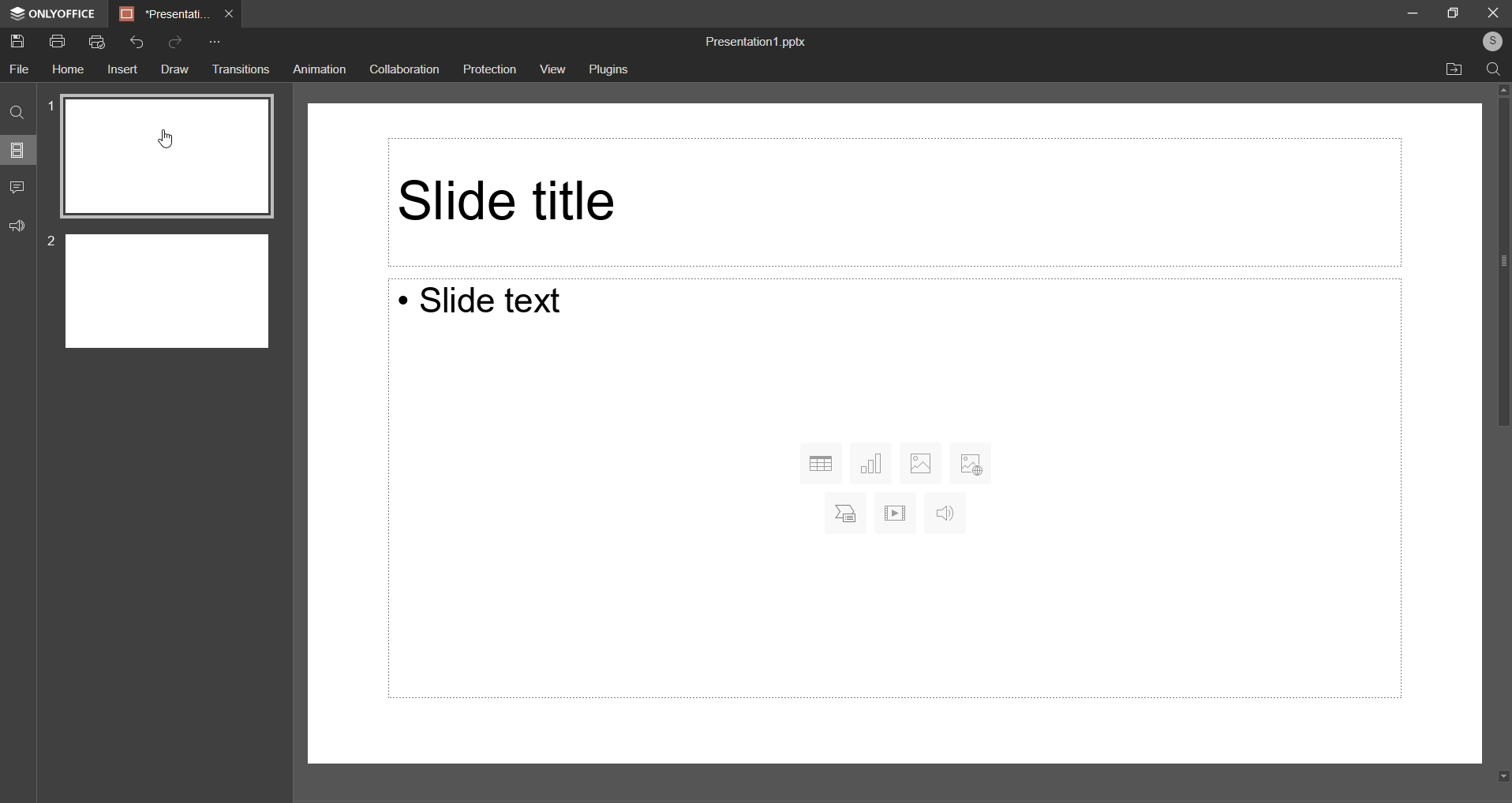  What do you see at coordinates (177, 43) in the screenshot?
I see `Redo` at bounding box center [177, 43].